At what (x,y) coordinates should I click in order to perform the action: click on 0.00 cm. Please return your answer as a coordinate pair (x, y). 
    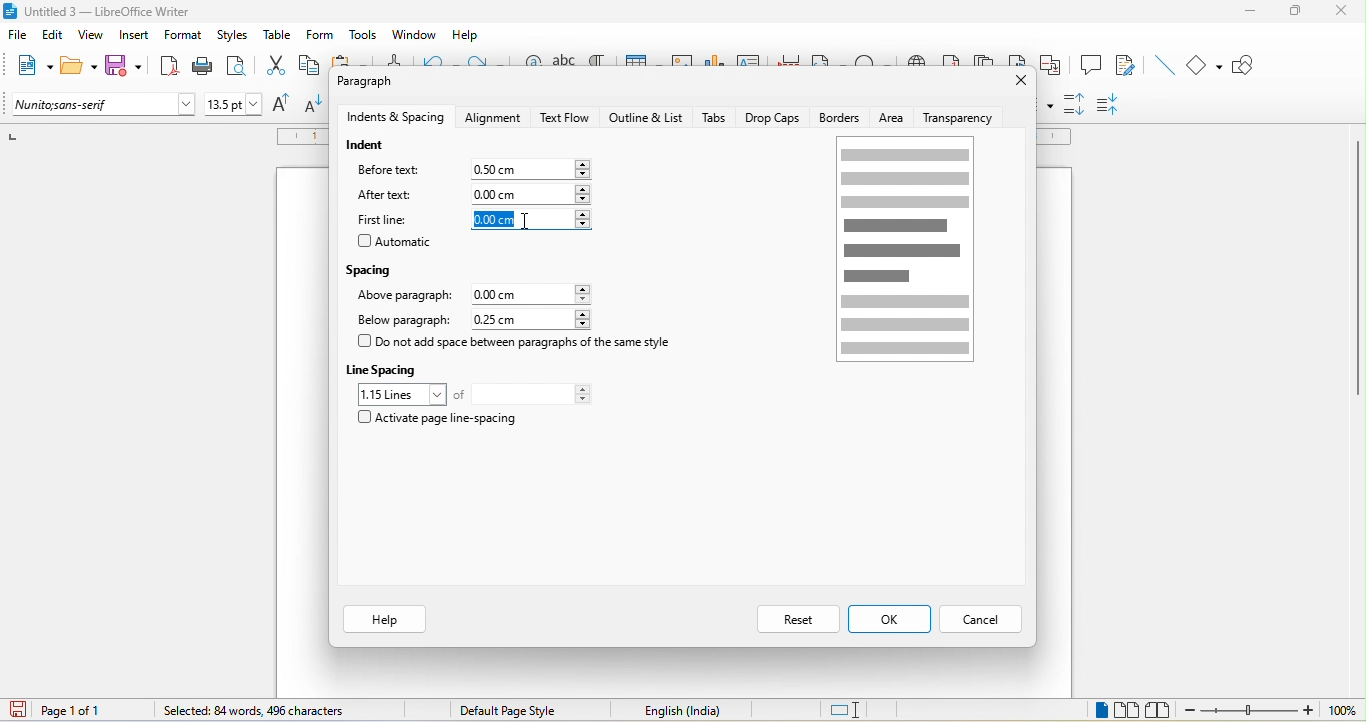
    Looking at the image, I should click on (519, 195).